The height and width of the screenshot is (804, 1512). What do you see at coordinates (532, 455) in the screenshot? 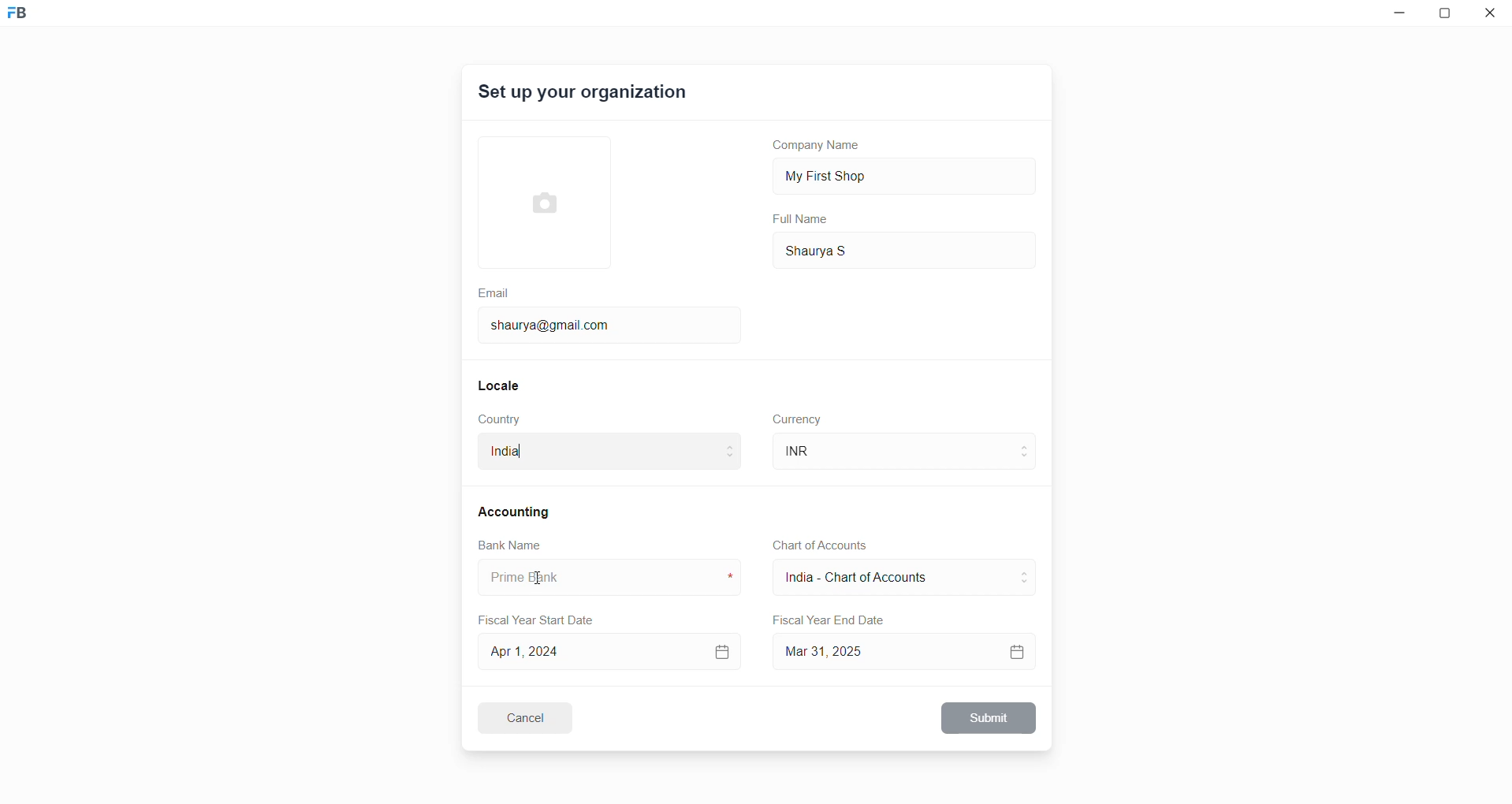
I see `India` at bounding box center [532, 455].